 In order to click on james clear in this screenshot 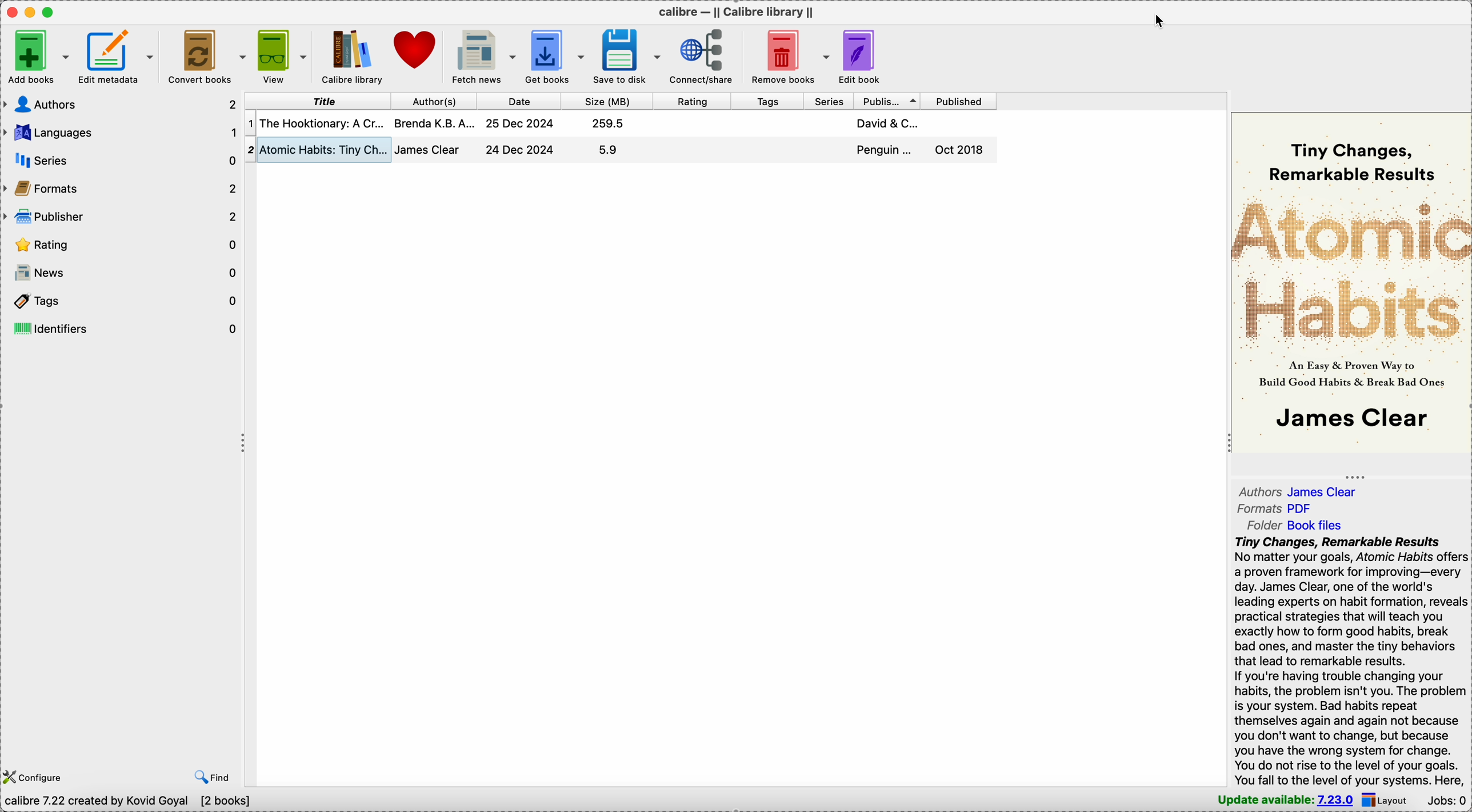, I will do `click(429, 150)`.